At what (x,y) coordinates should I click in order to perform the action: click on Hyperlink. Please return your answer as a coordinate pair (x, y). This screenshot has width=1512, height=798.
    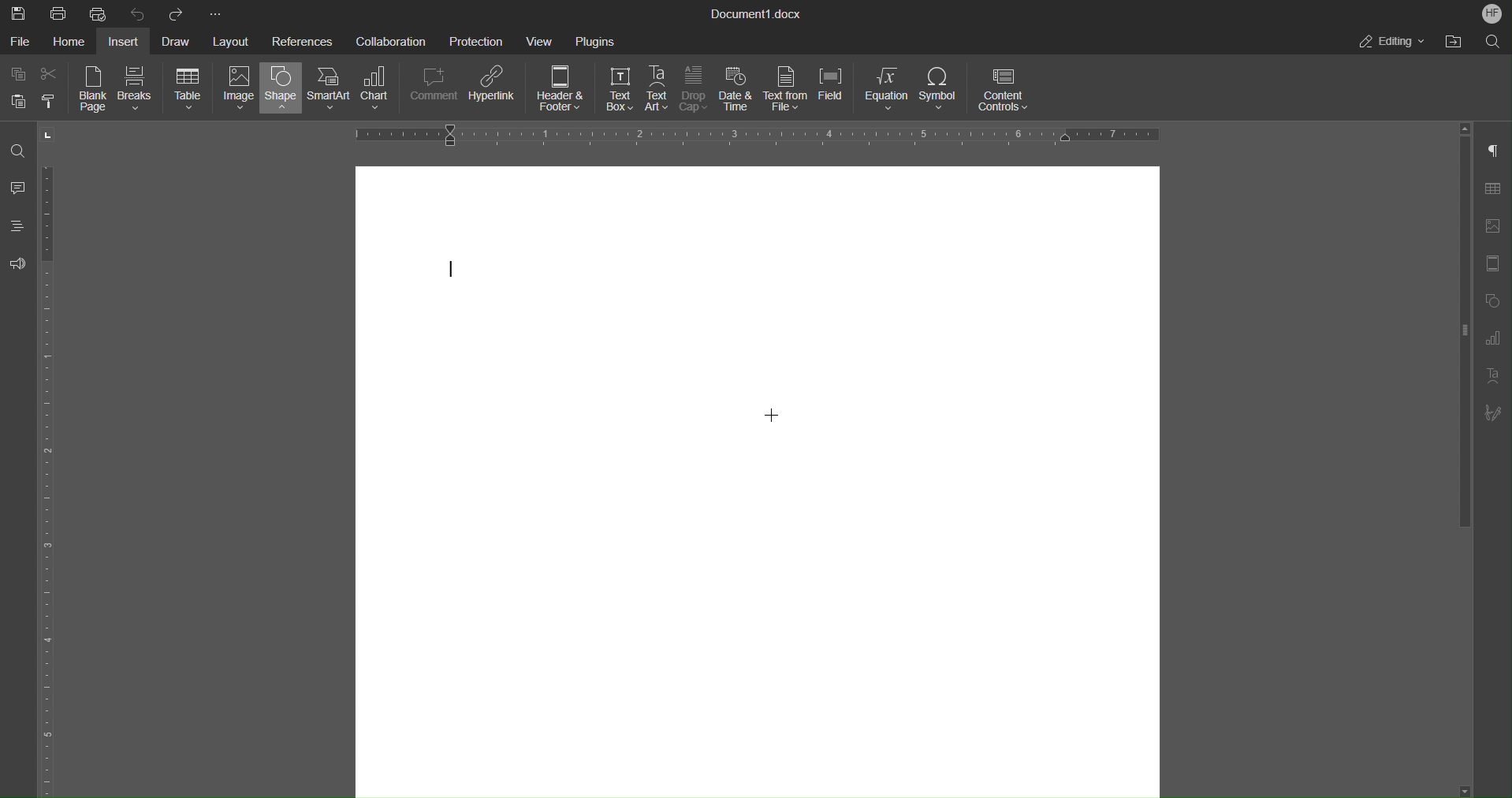
    Looking at the image, I should click on (495, 91).